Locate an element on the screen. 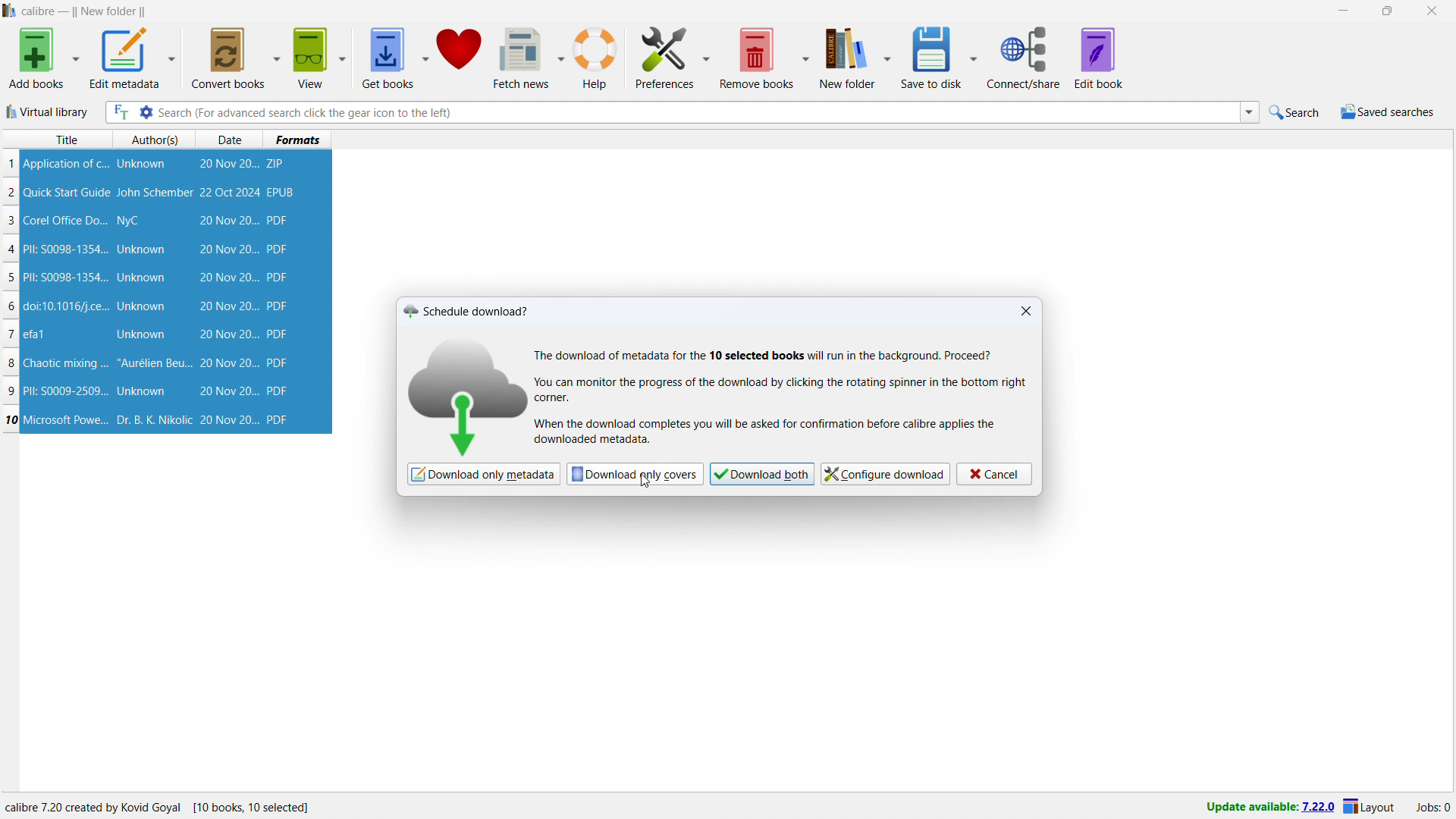 This screenshot has width=1456, height=819. preferences options is located at coordinates (706, 56).